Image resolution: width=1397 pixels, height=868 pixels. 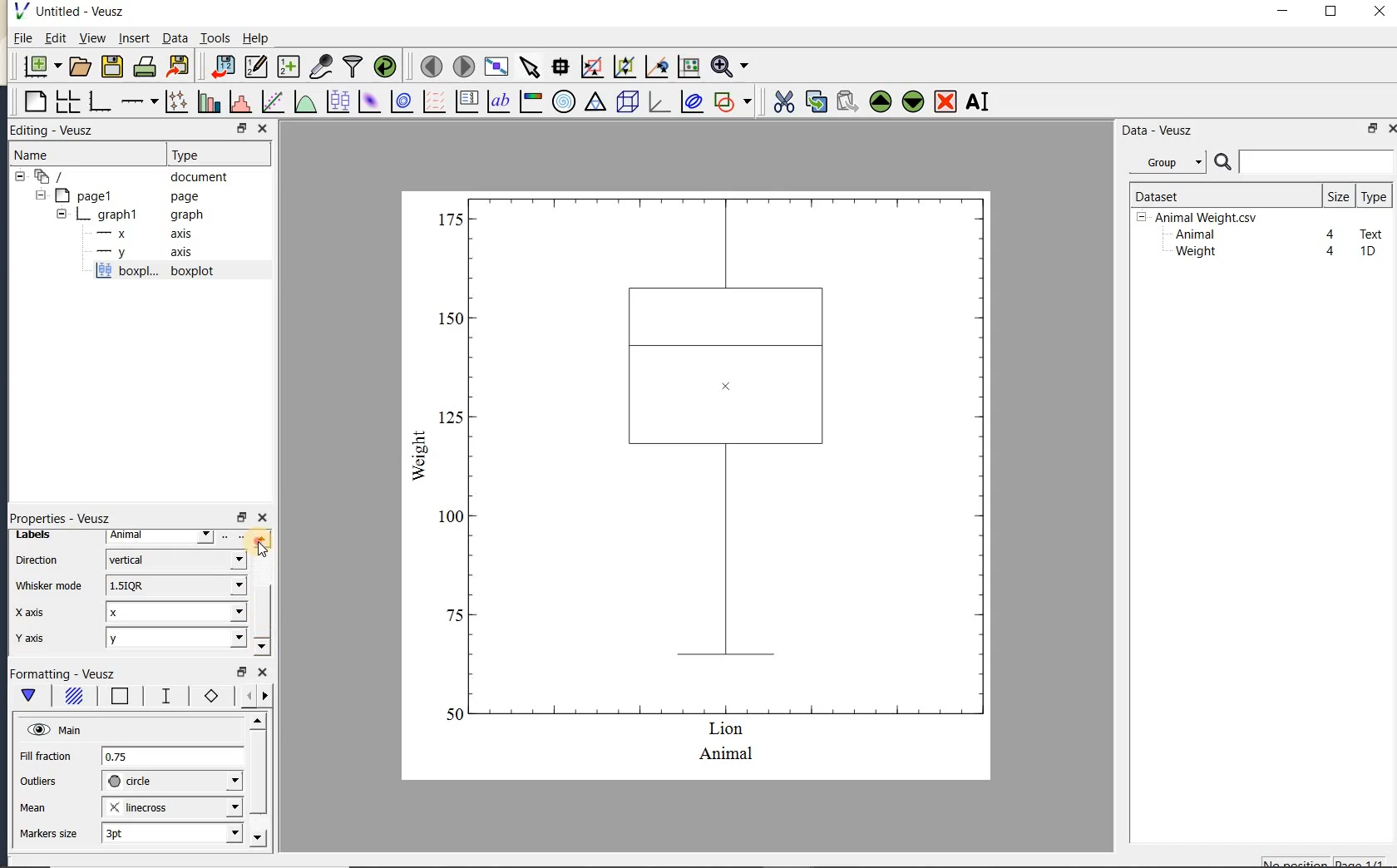 What do you see at coordinates (1158, 131) in the screenshot?
I see `Data-Veusz` at bounding box center [1158, 131].